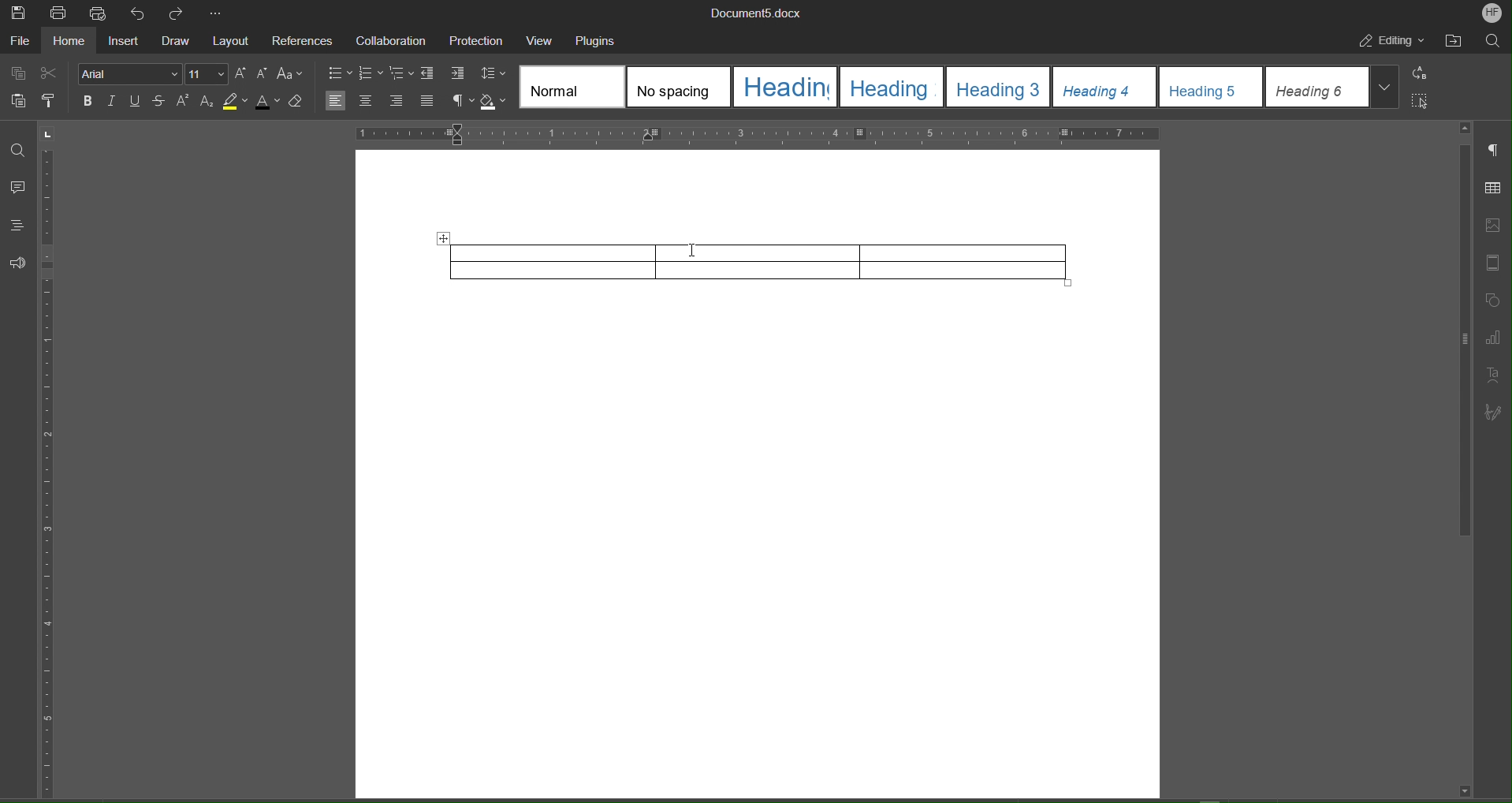 This screenshot has width=1512, height=803. Describe the element at coordinates (50, 71) in the screenshot. I see `Cut` at that location.